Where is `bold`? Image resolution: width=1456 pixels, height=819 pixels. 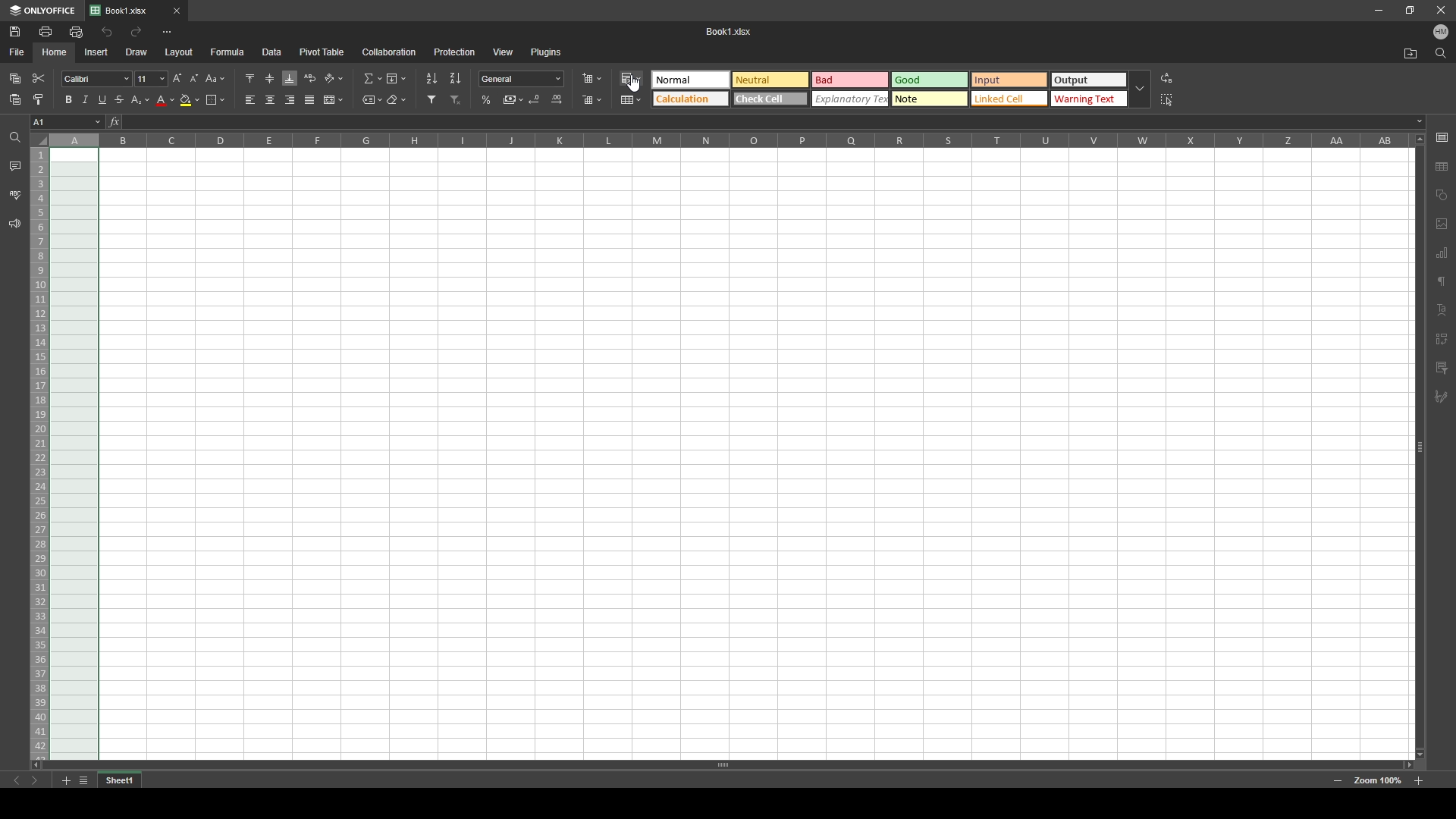 bold is located at coordinates (68, 99).